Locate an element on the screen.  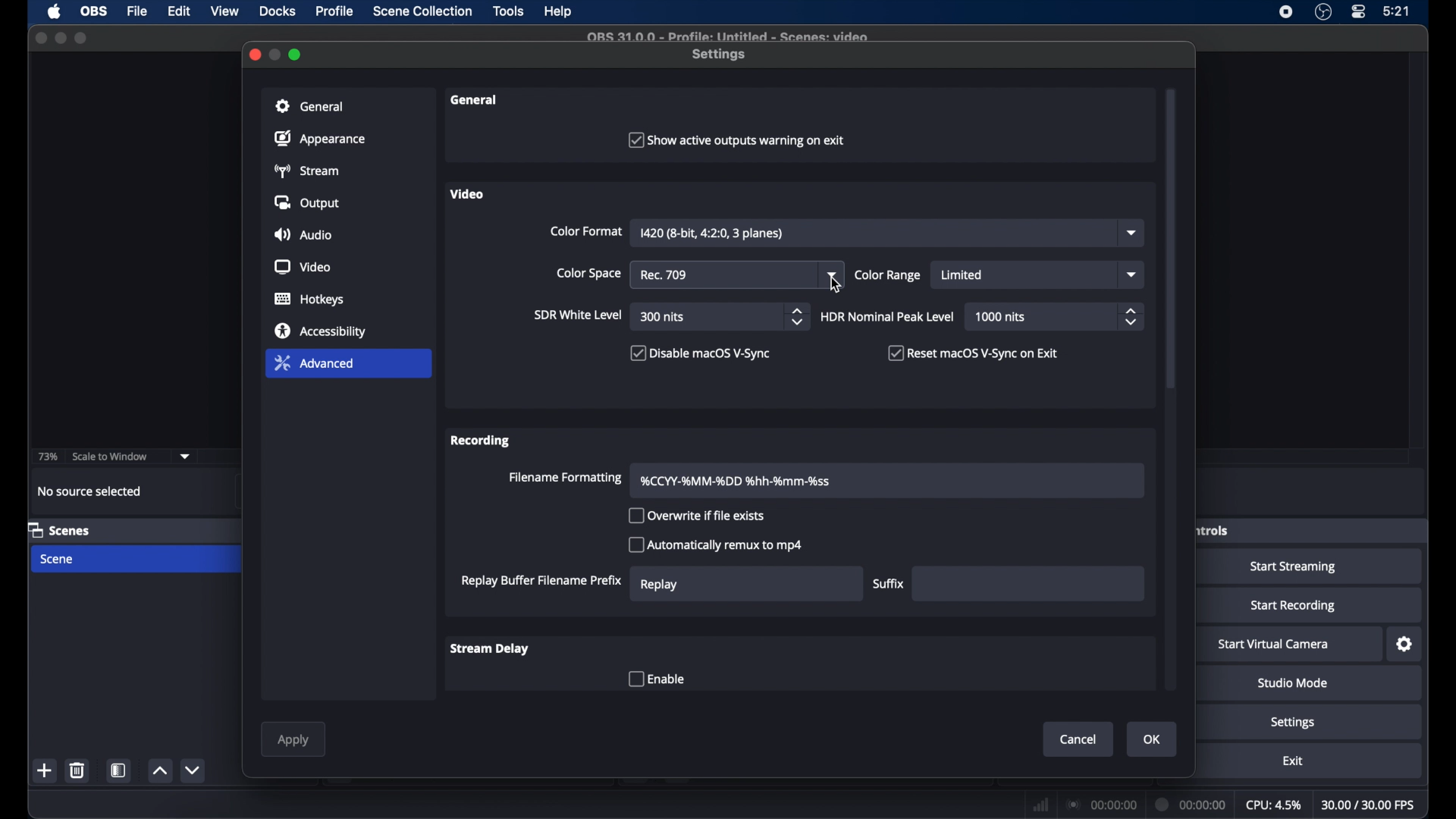
cursor is located at coordinates (834, 284).